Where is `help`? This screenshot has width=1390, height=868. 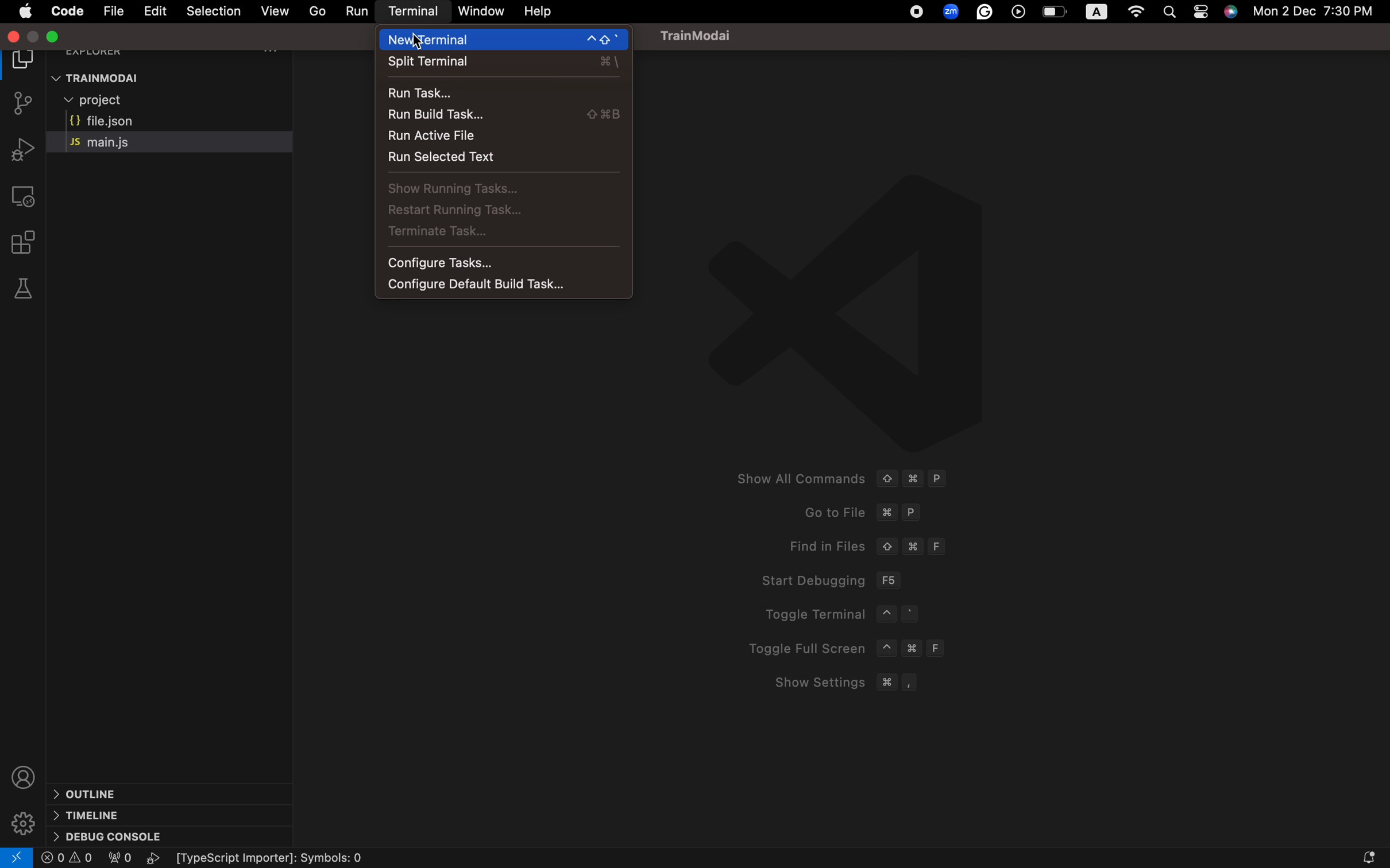
help is located at coordinates (540, 12).